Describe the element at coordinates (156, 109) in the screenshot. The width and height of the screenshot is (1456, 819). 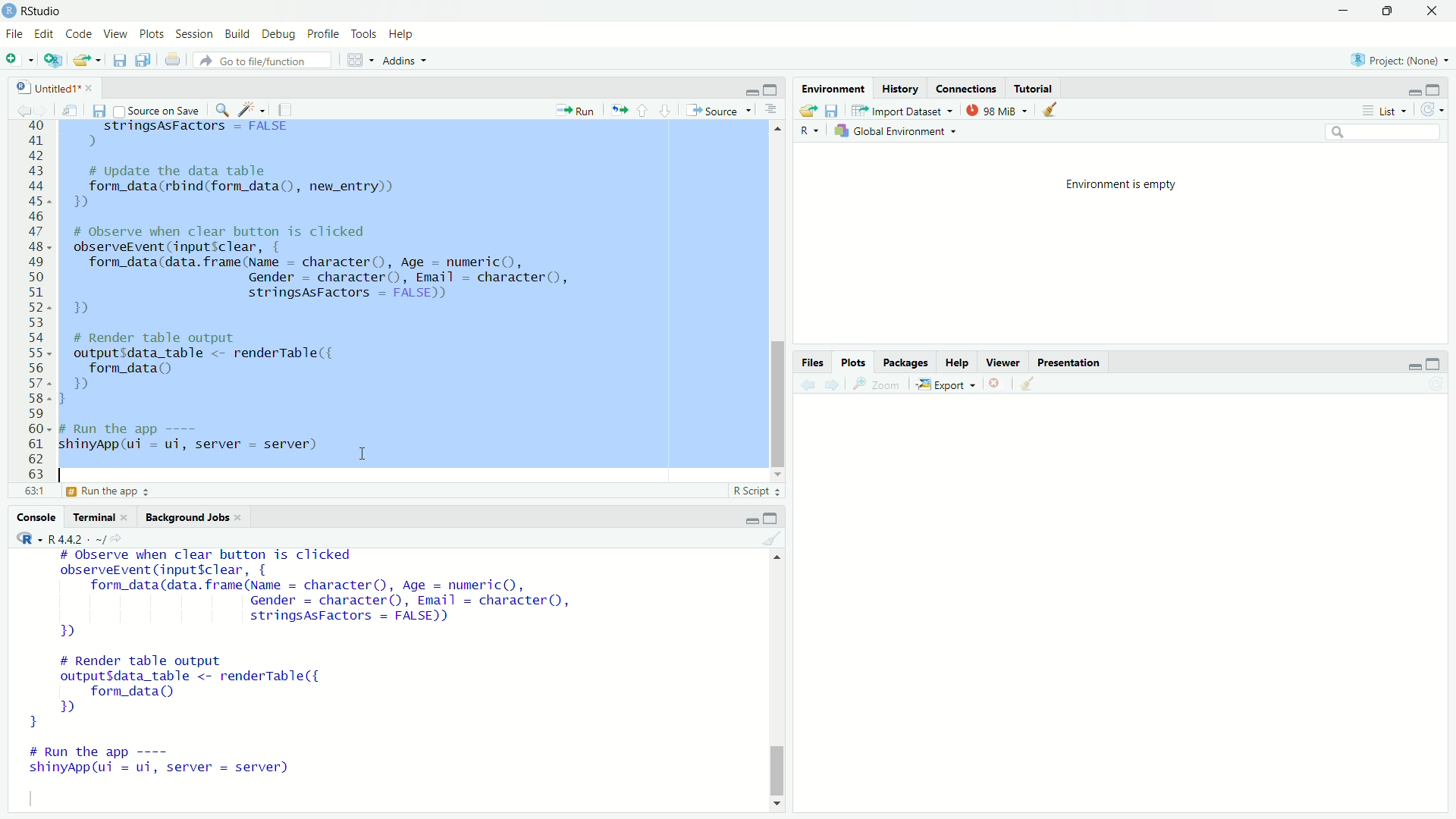
I see `source on save` at that location.